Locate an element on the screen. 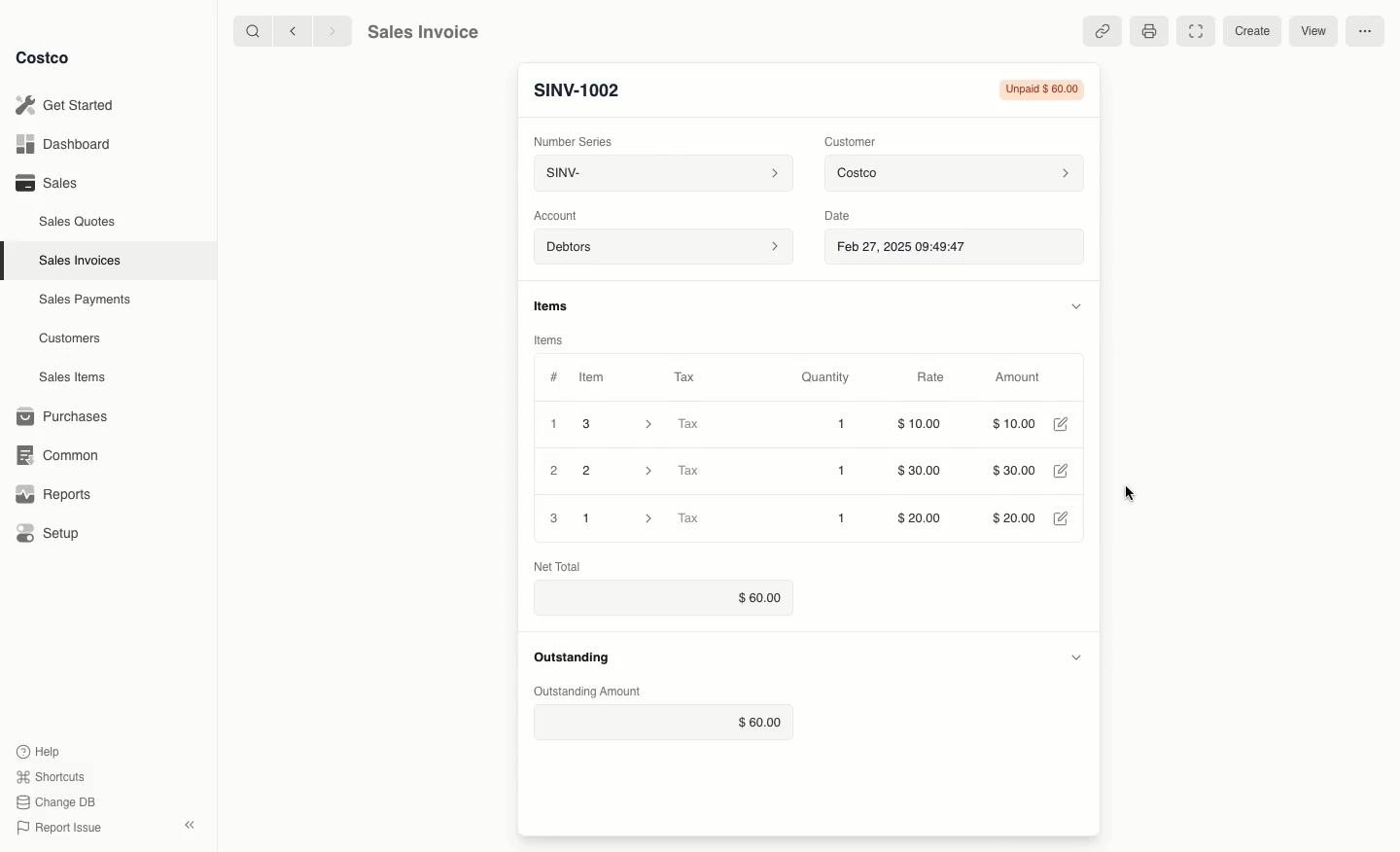 The image size is (1400, 852). Rate is located at coordinates (926, 378).